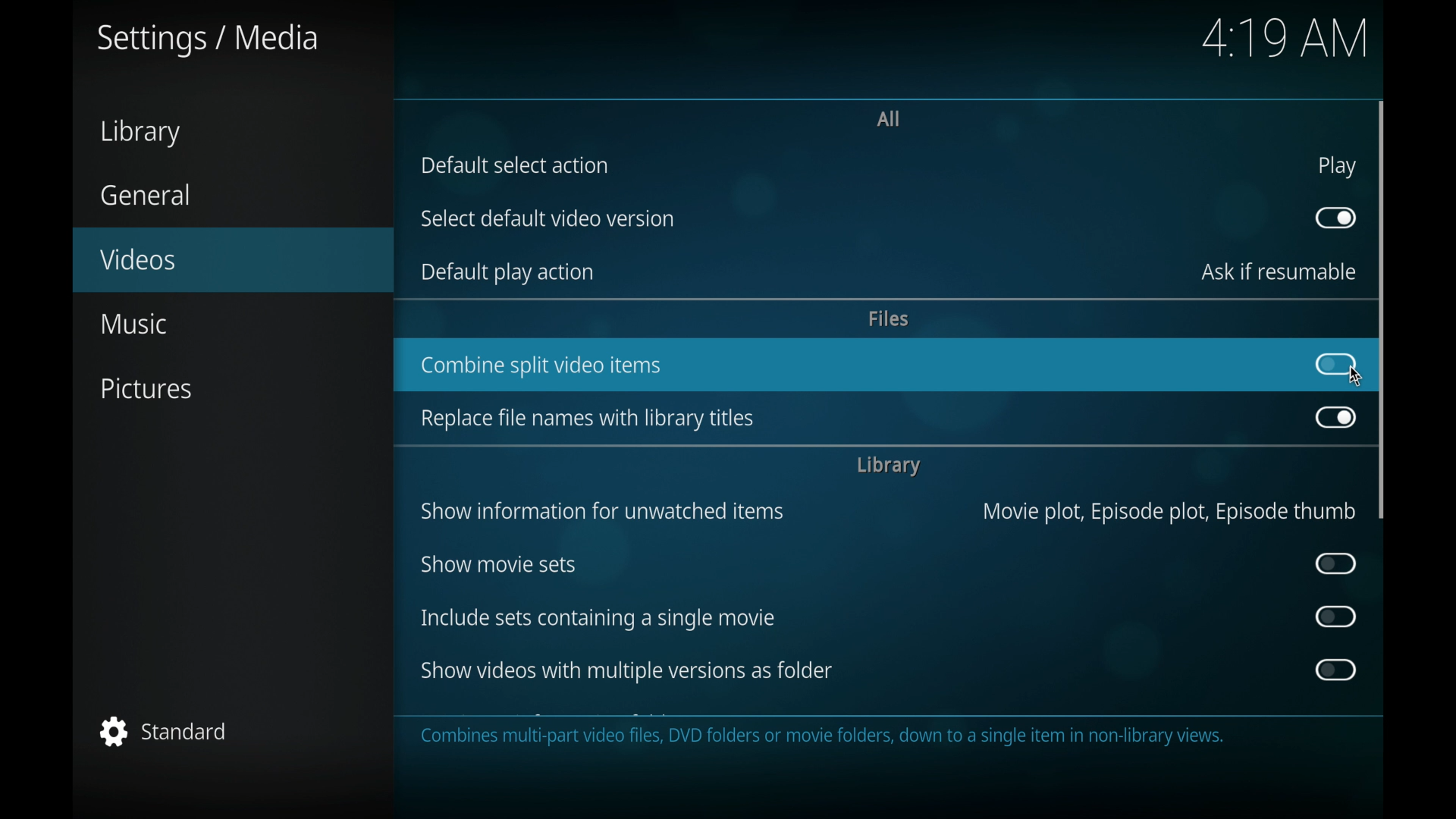  I want to click on toggle button, so click(1335, 364).